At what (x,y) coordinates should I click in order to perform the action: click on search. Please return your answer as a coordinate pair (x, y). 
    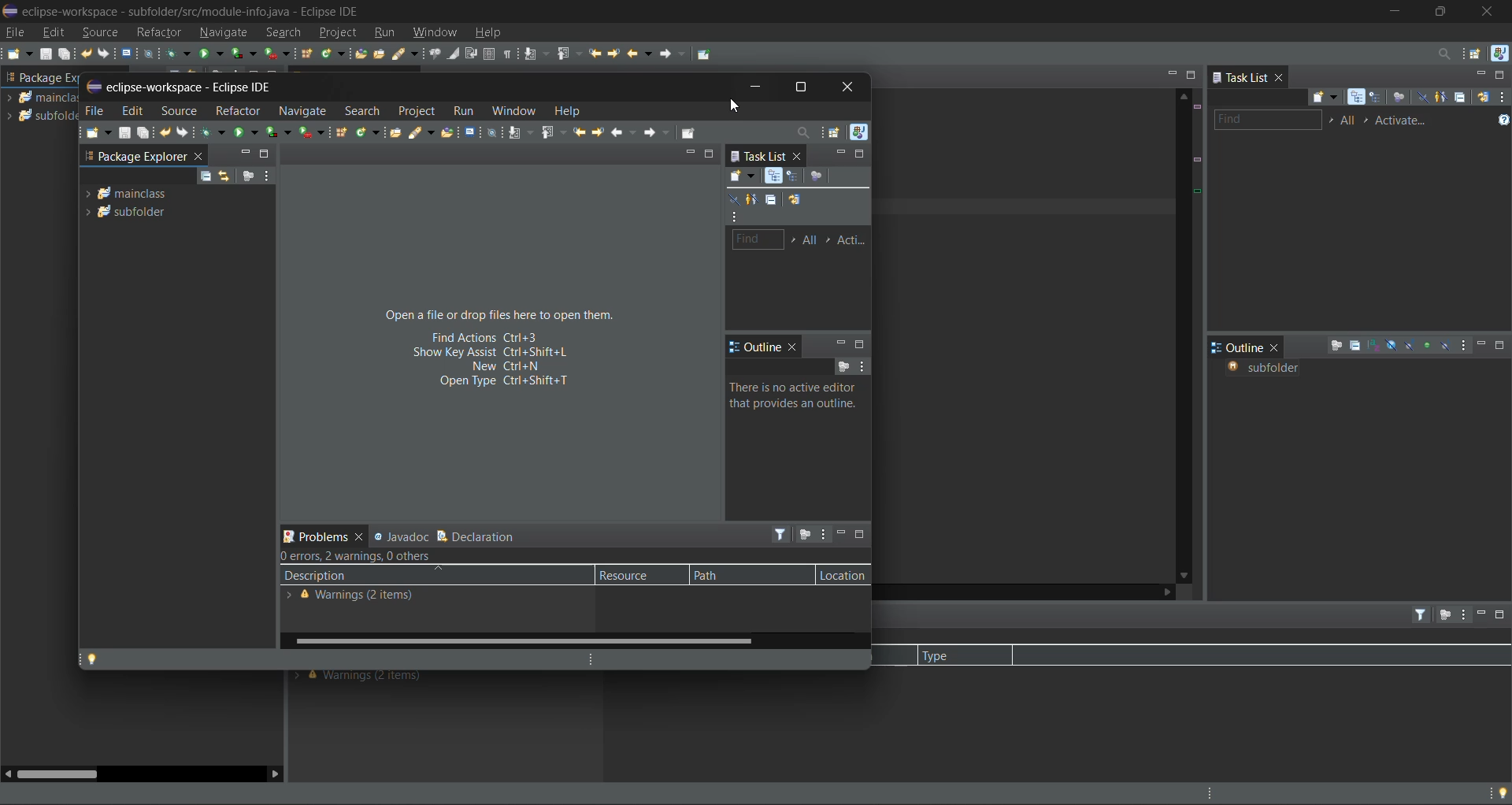
    Looking at the image, I should click on (283, 32).